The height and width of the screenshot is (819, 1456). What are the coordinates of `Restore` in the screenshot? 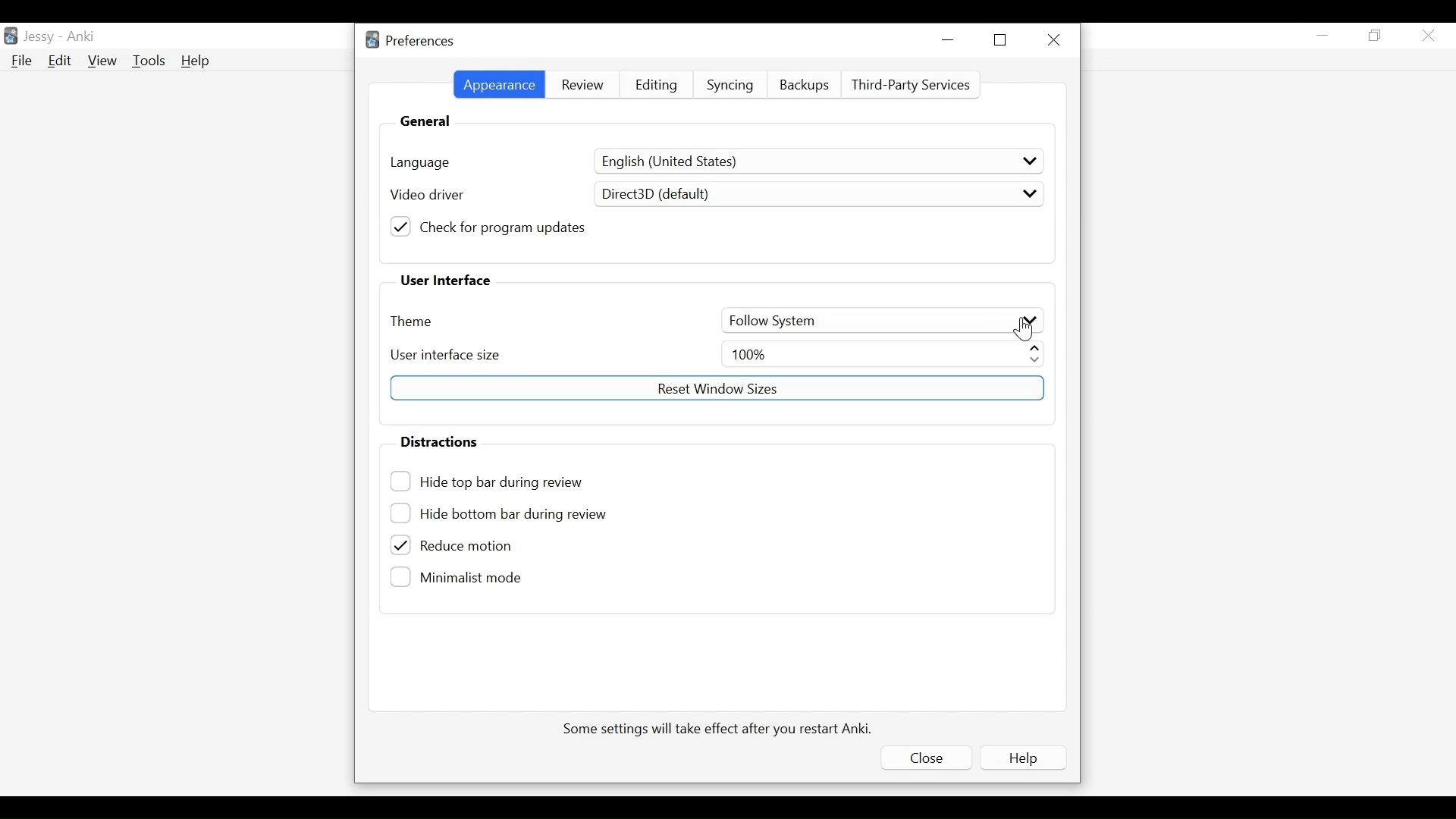 It's located at (1377, 36).